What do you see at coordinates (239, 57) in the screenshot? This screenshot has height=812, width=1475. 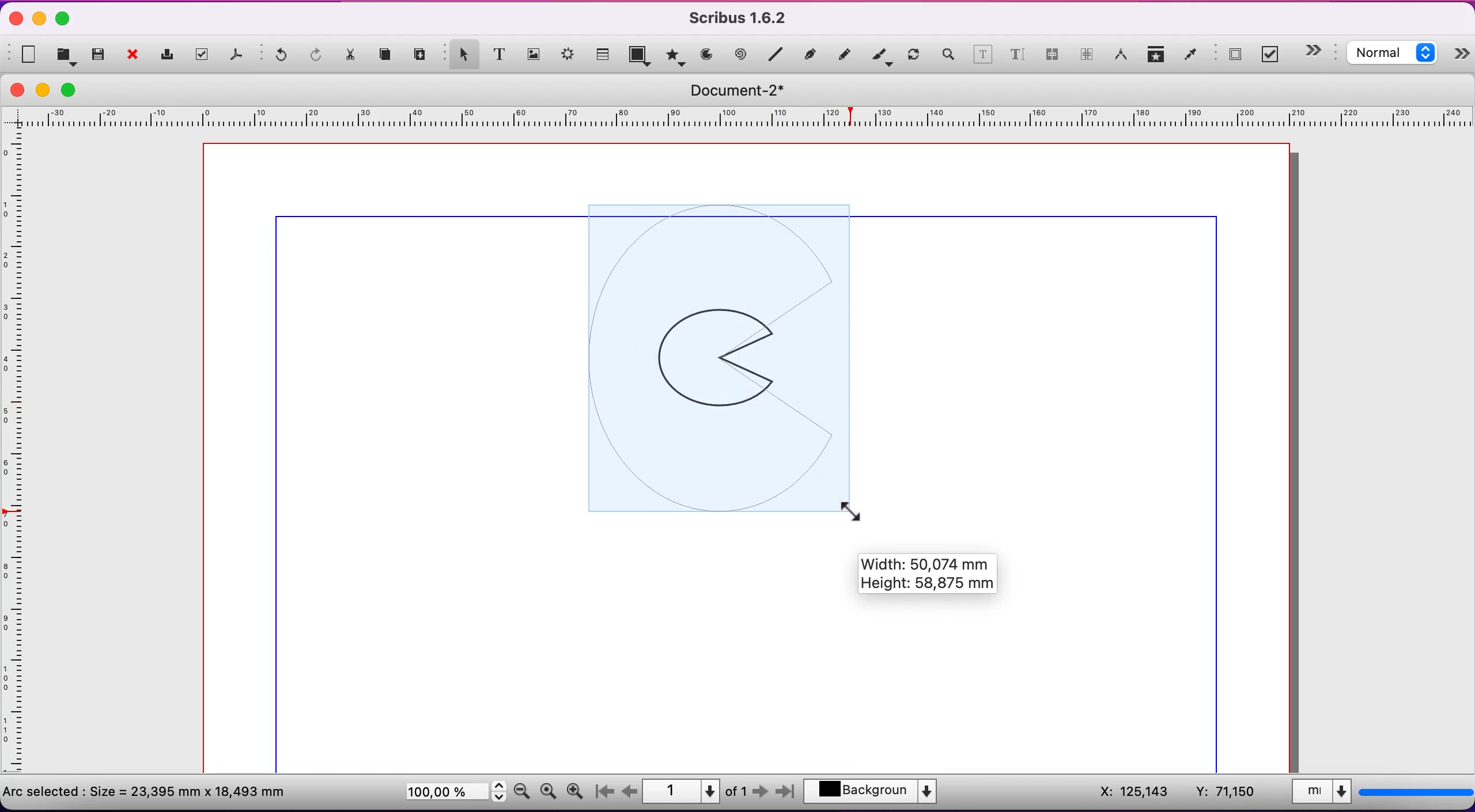 I see `export as pdf` at bounding box center [239, 57].